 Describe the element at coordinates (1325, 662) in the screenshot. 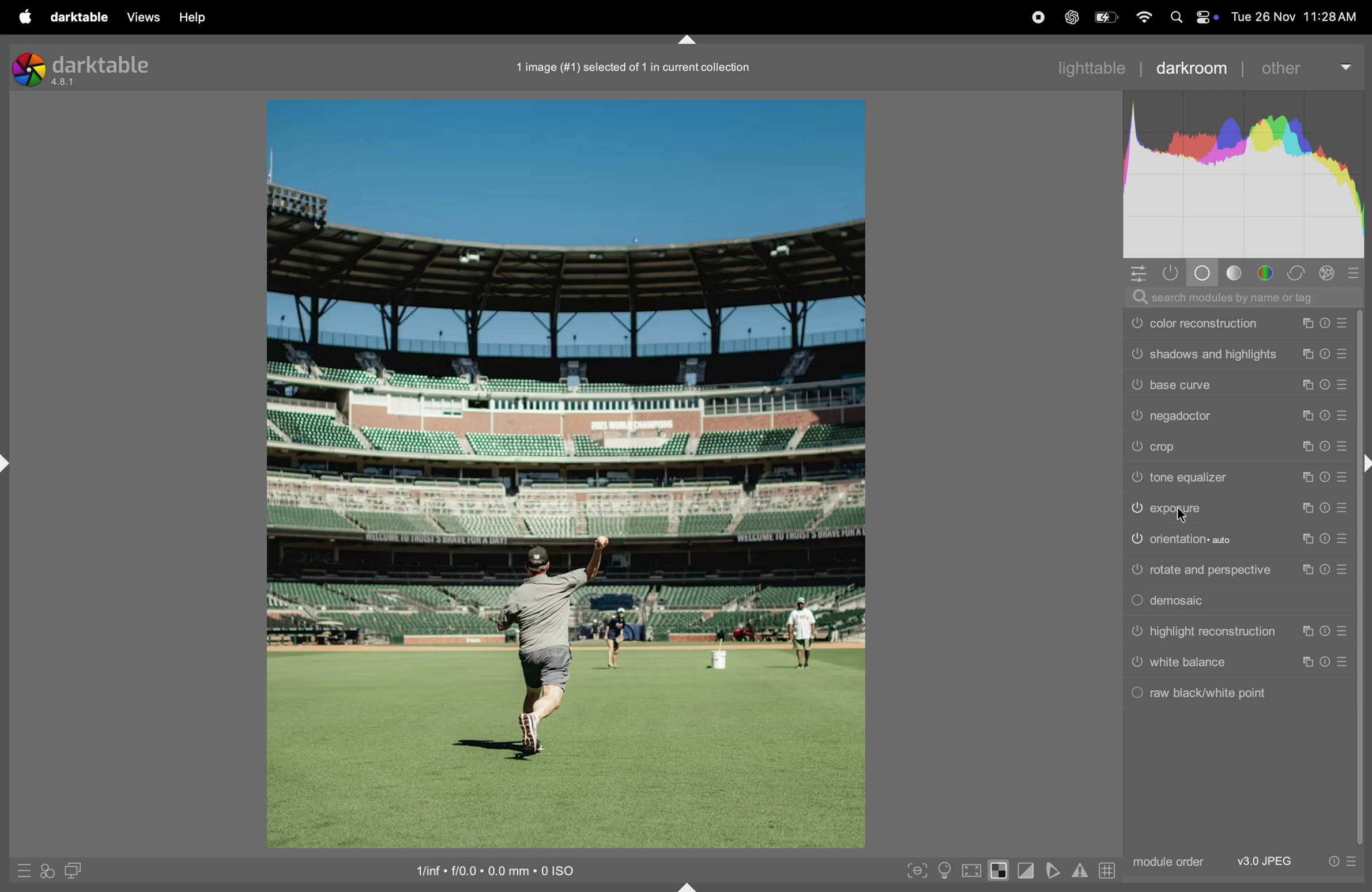

I see `reset presets` at that location.